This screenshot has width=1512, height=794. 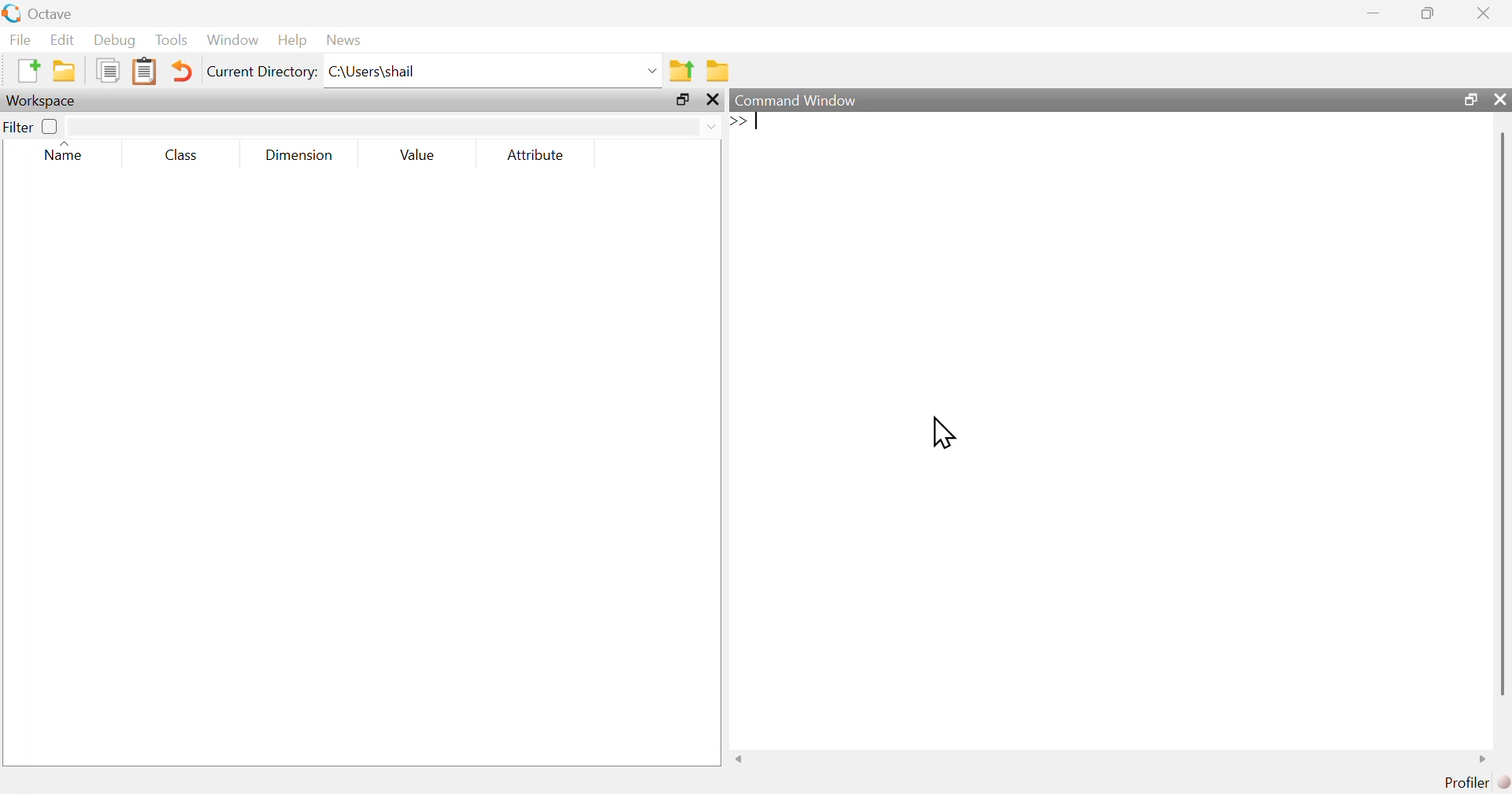 I want to click on Debug, so click(x=117, y=41).